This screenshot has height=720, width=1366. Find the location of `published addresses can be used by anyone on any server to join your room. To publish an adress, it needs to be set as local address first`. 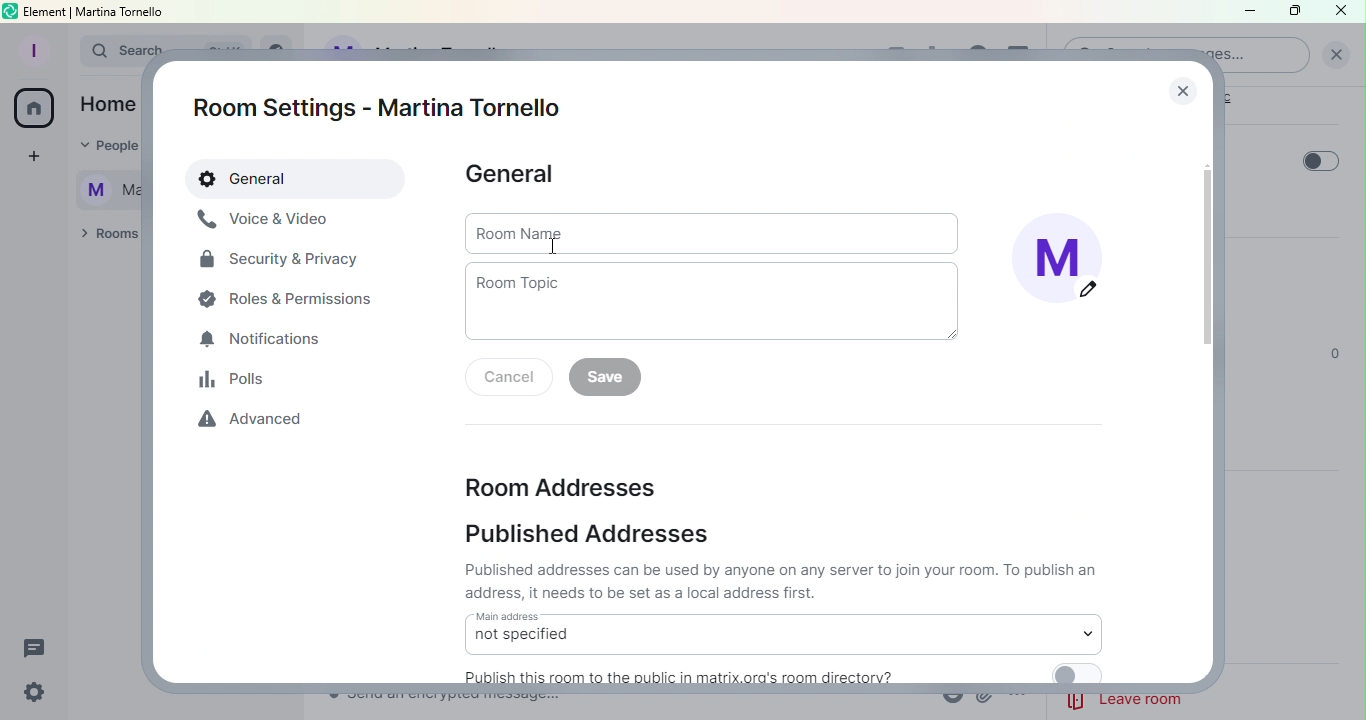

published addresses can be used by anyone on any server to join your room. To publish an adress, it needs to be set as local address first is located at coordinates (784, 581).